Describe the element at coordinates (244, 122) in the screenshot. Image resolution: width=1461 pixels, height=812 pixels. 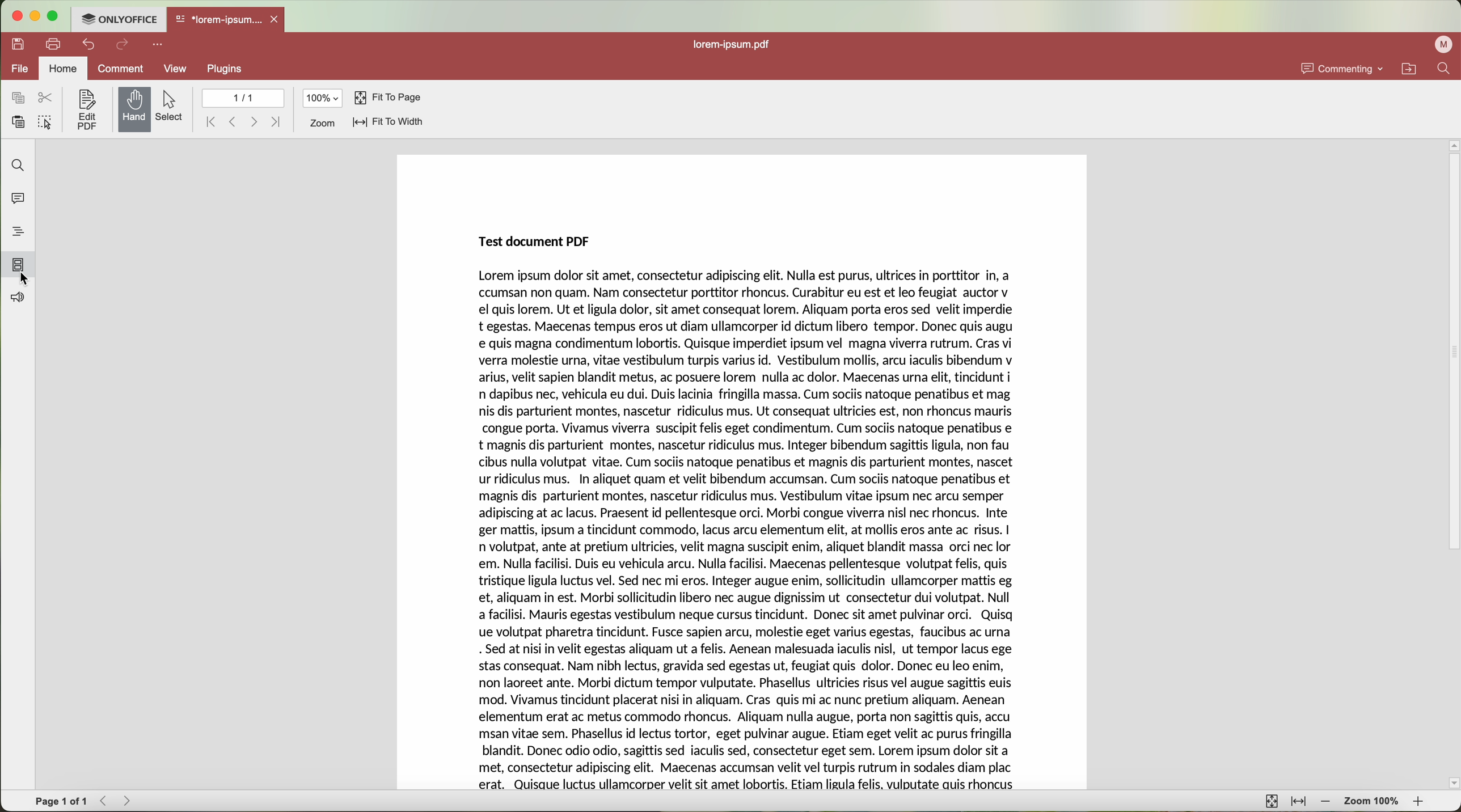
I see `navigate arrows` at that location.